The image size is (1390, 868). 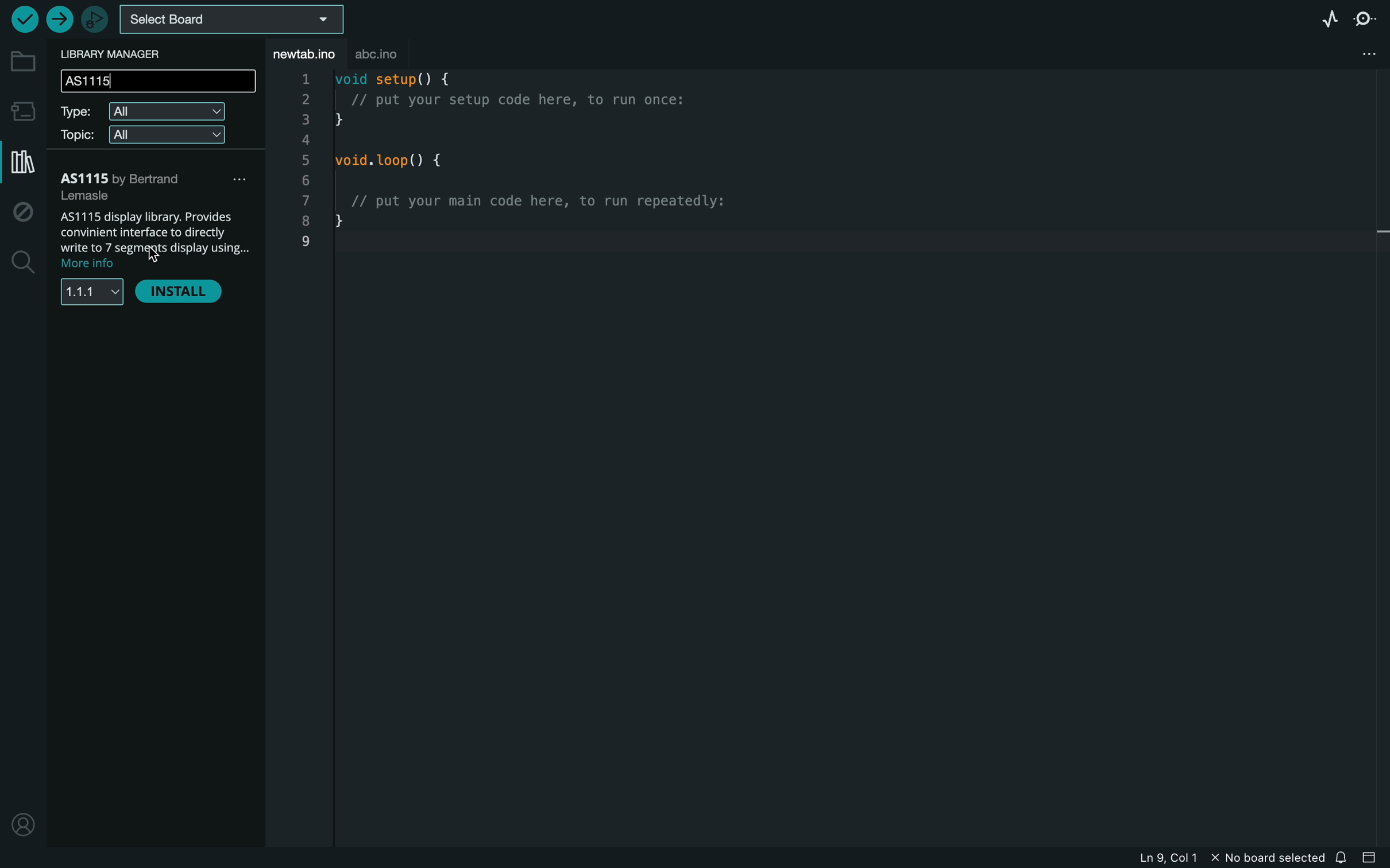 What do you see at coordinates (156, 80) in the screenshot?
I see `AS1115` at bounding box center [156, 80].